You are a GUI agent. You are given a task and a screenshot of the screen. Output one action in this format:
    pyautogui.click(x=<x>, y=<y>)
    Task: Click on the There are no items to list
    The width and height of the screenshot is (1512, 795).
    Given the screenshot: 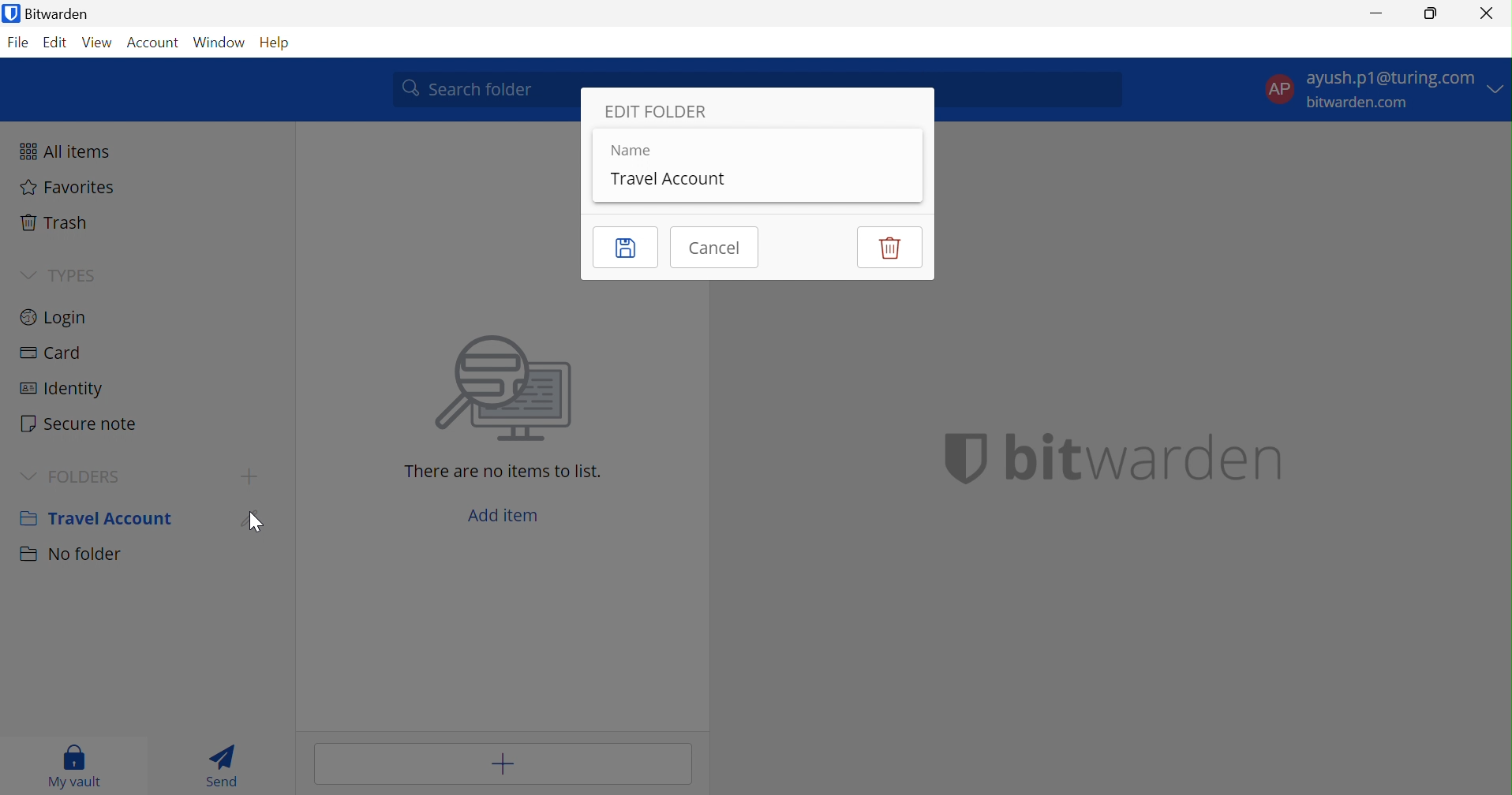 What is the action you would take?
    pyautogui.click(x=504, y=471)
    